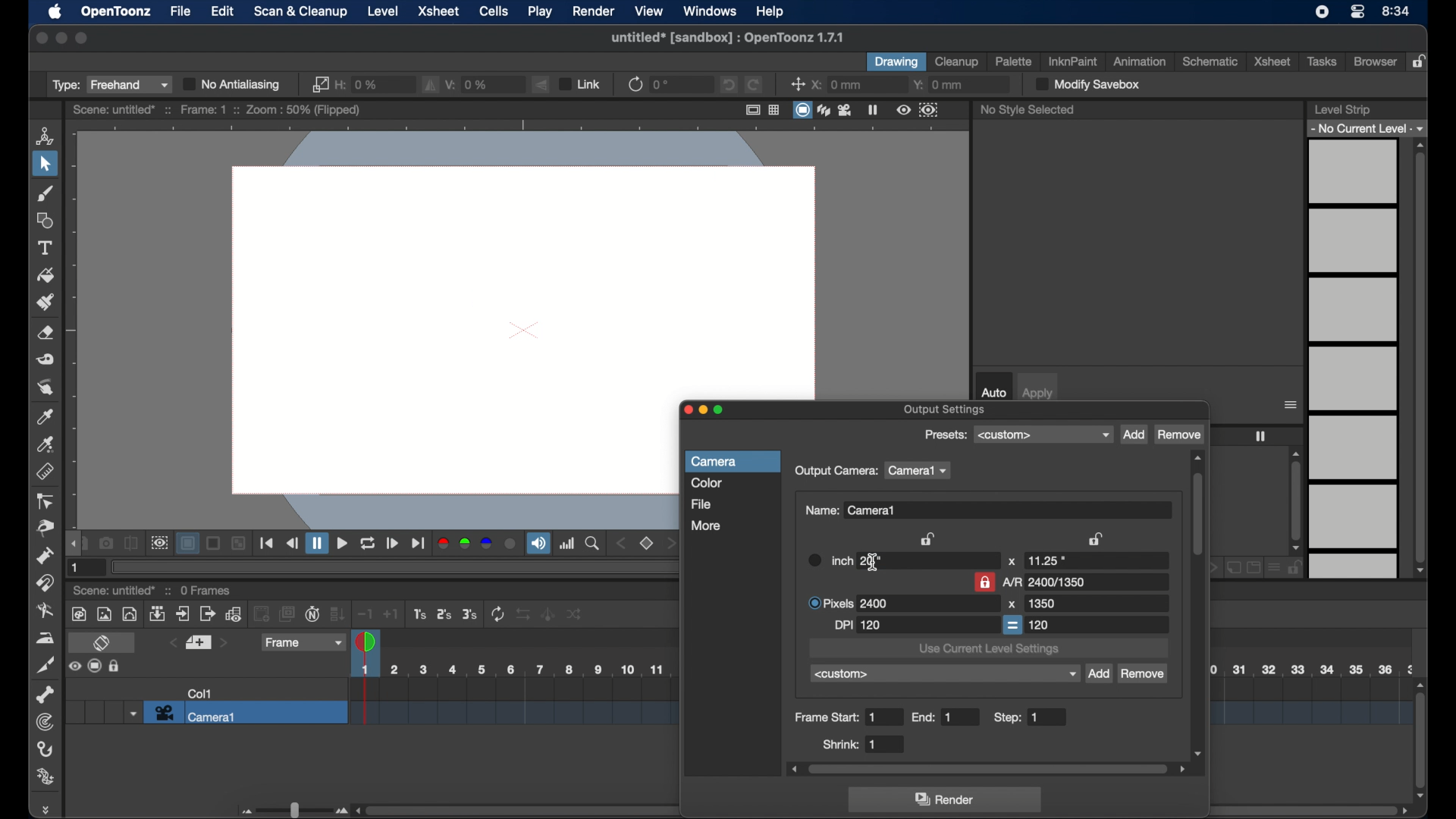  I want to click on remove, so click(1179, 435).